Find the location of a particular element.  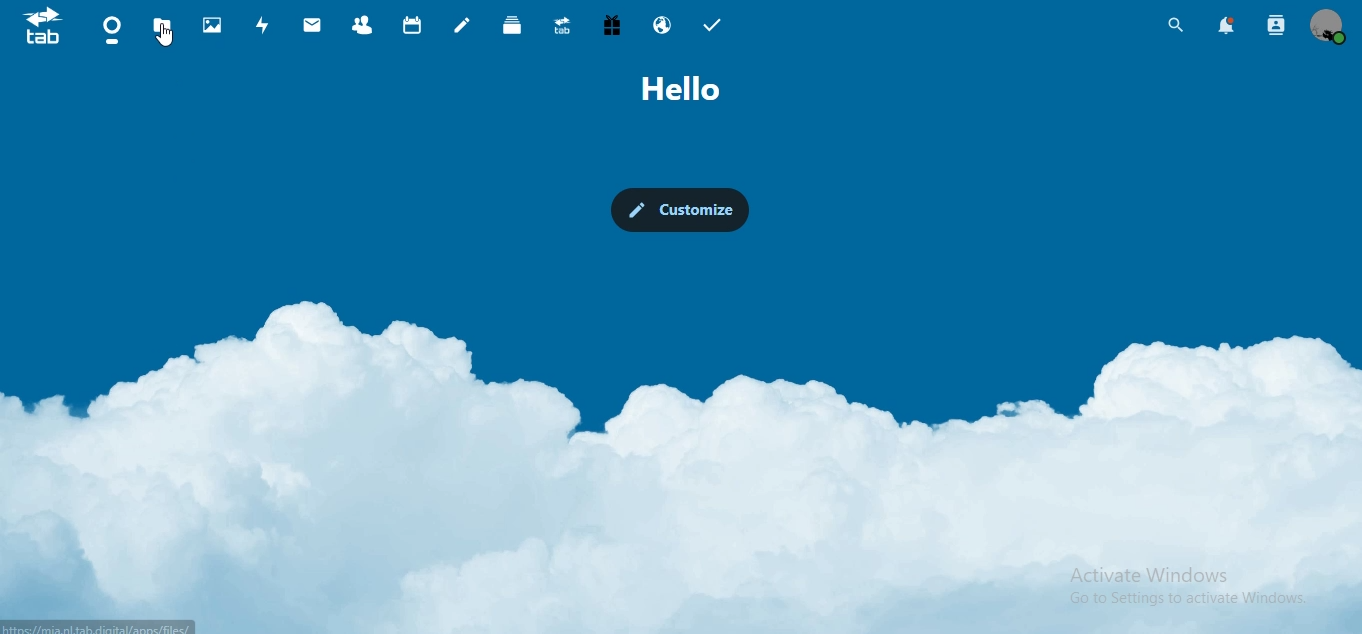

deck is located at coordinates (515, 28).